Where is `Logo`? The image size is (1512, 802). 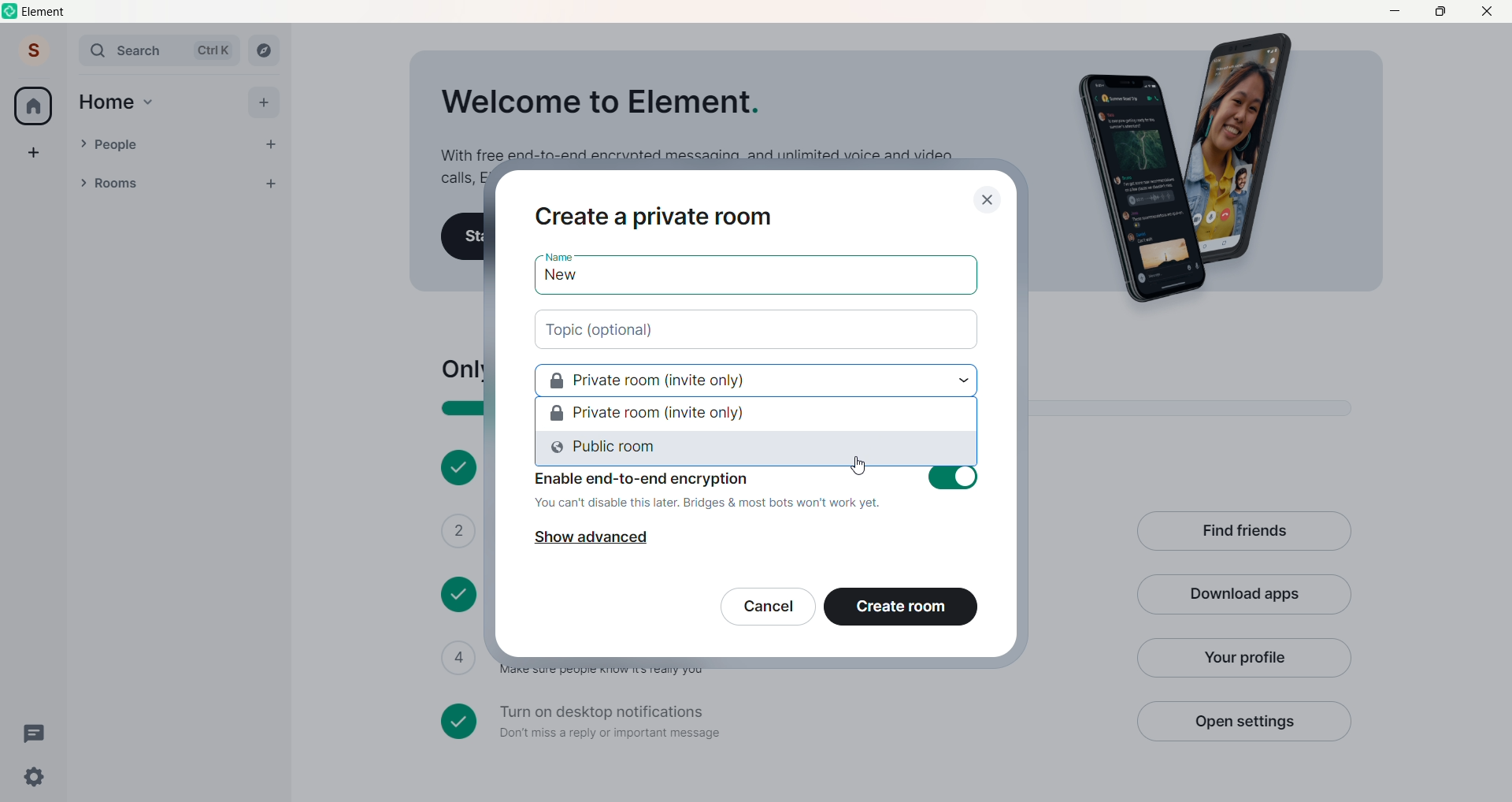
Logo is located at coordinates (11, 11).